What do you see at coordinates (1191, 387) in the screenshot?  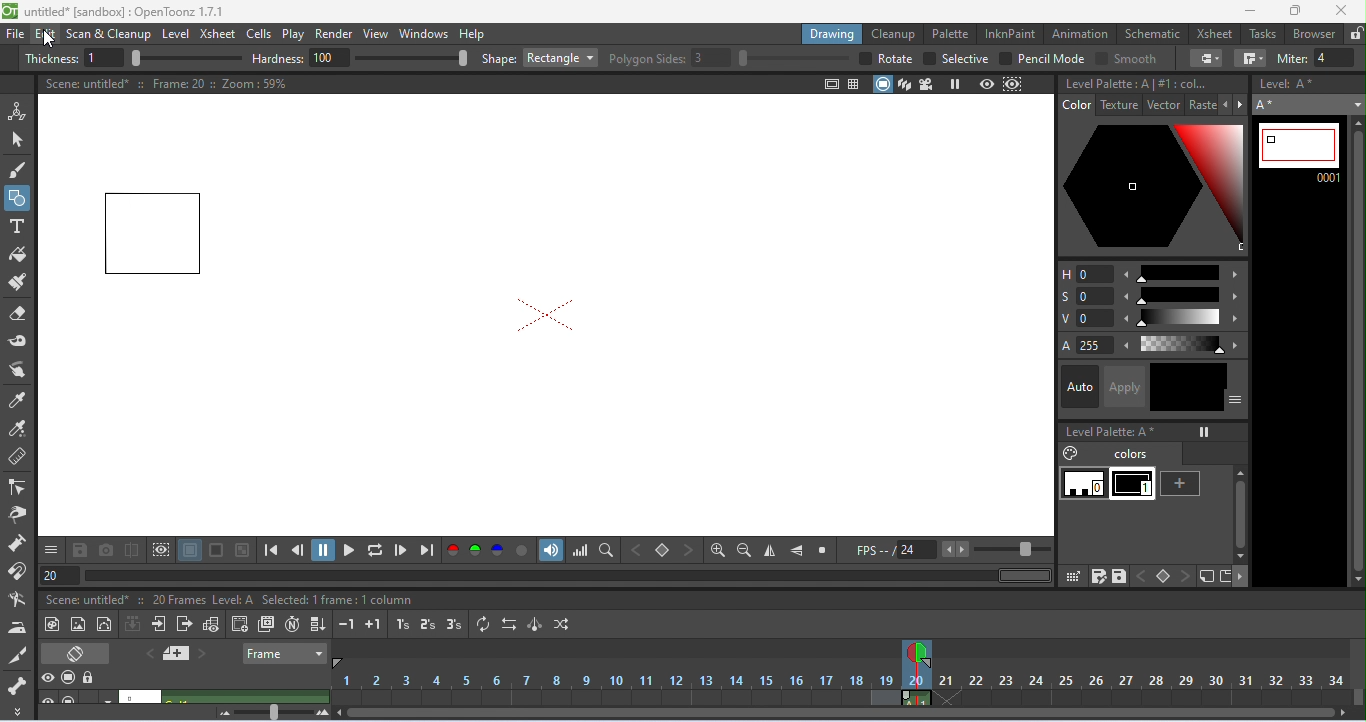 I see `black` at bounding box center [1191, 387].